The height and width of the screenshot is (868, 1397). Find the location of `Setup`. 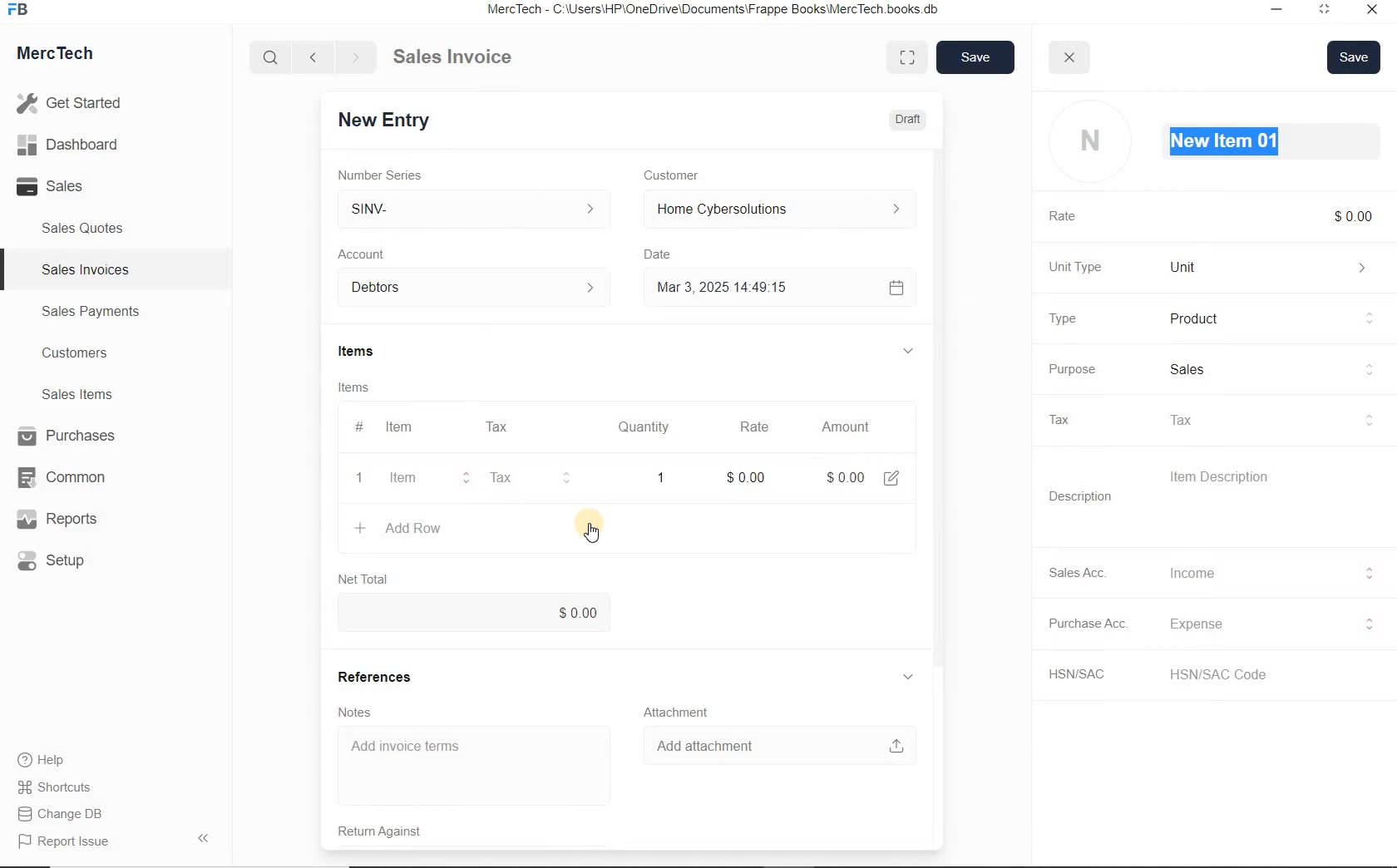

Setup is located at coordinates (70, 560).